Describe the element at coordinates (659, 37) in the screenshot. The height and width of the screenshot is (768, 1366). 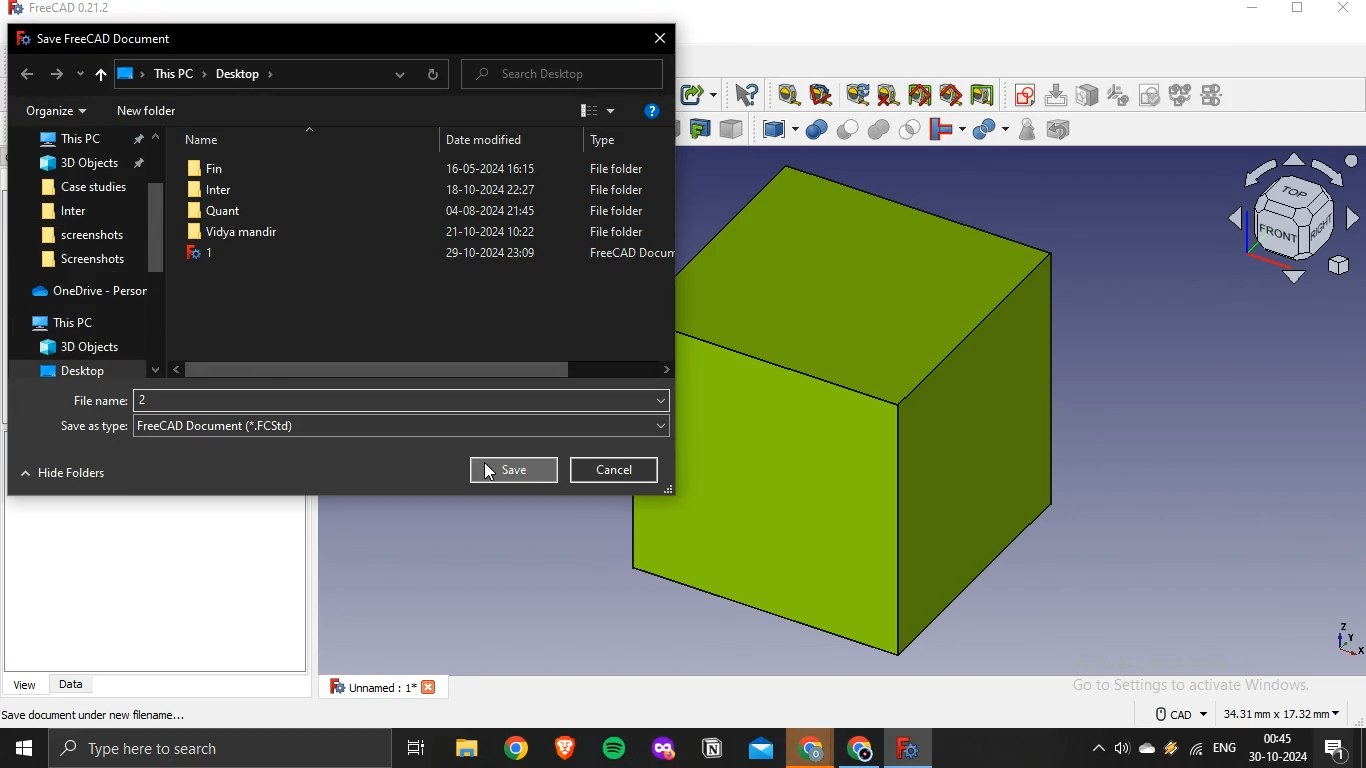
I see `close` at that location.